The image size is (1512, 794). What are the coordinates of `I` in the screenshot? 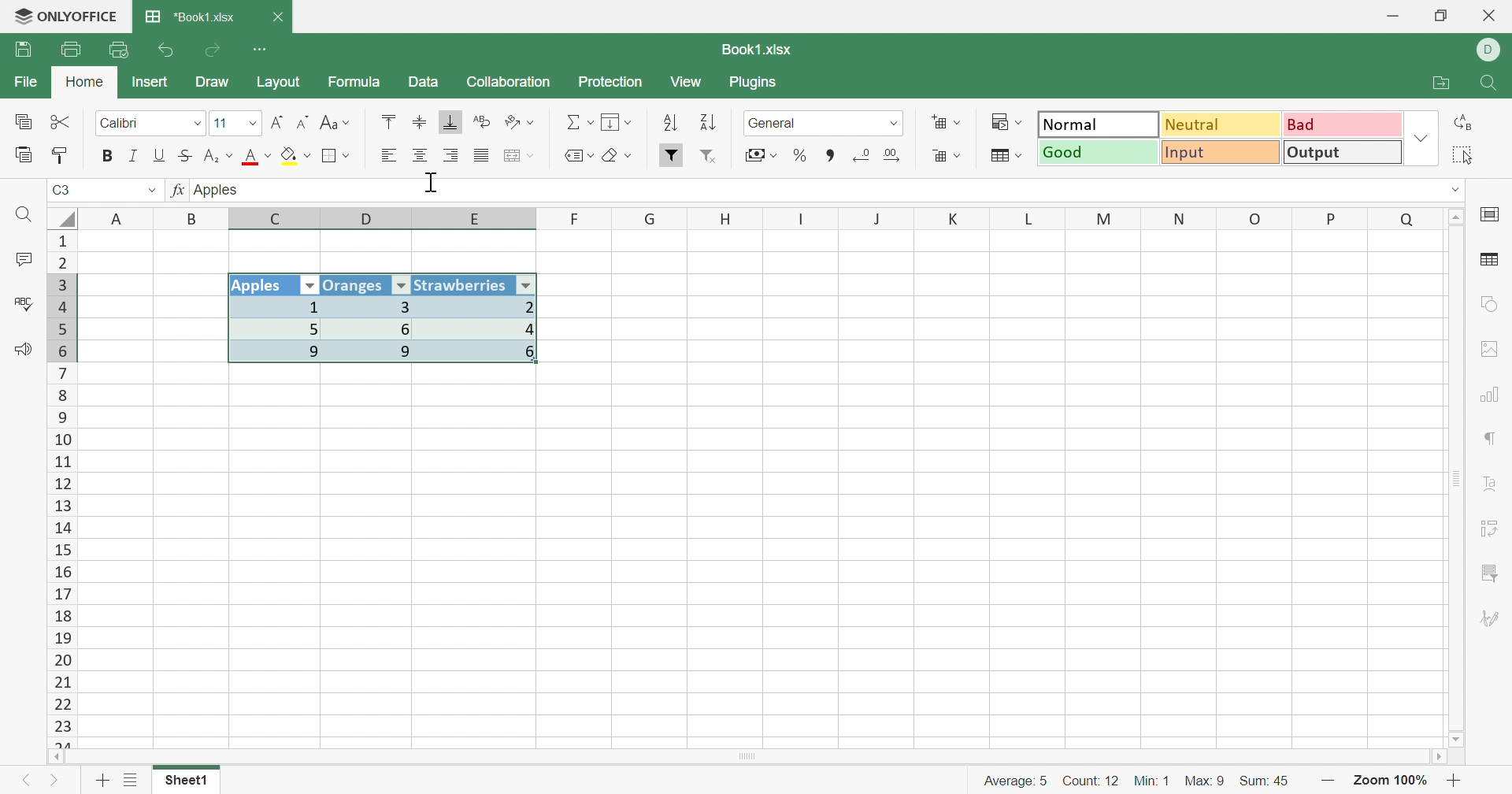 It's located at (802, 219).